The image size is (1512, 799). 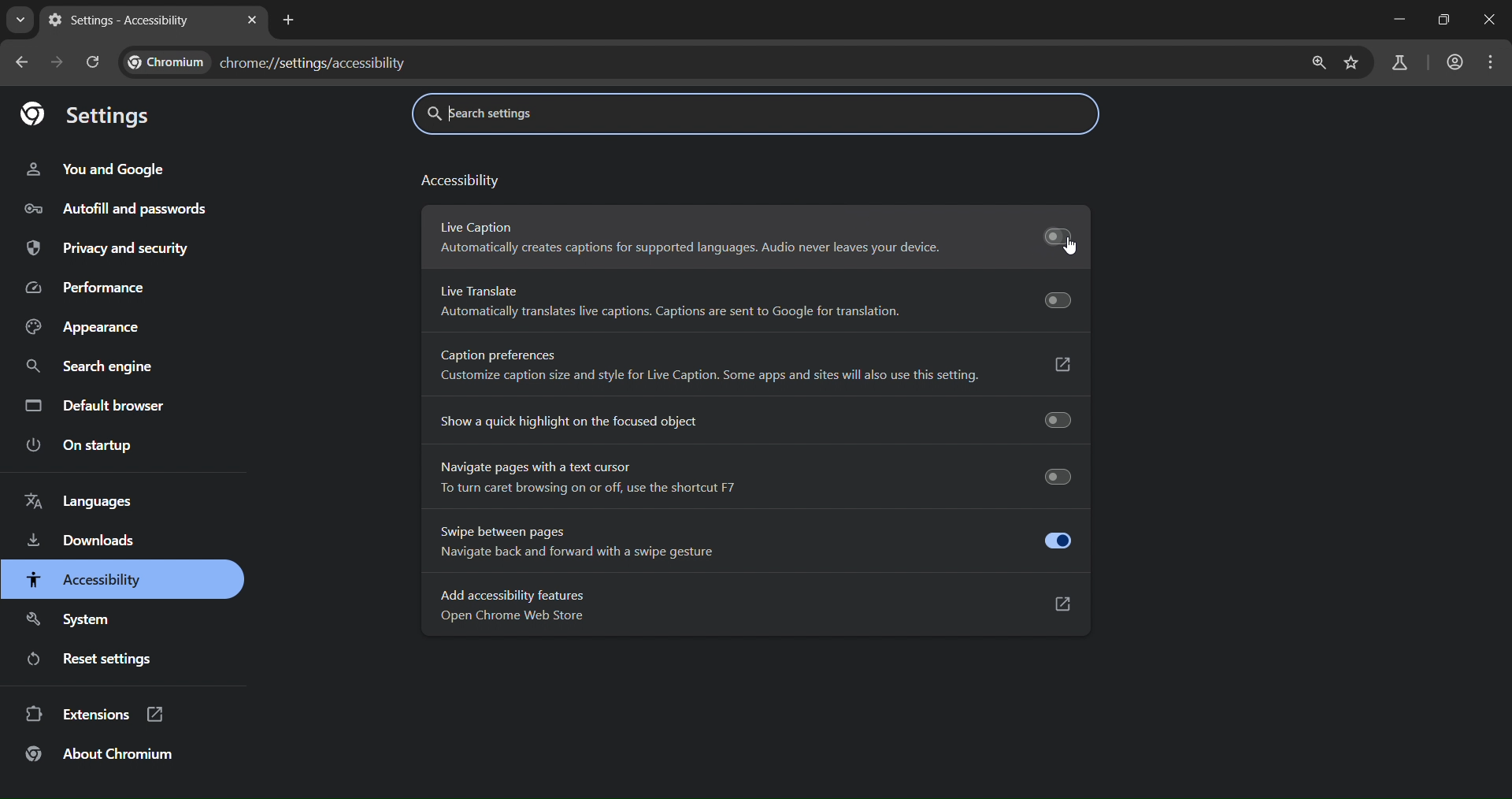 I want to click on Add accessibility features
Open Chrome Web Store, so click(x=751, y=604).